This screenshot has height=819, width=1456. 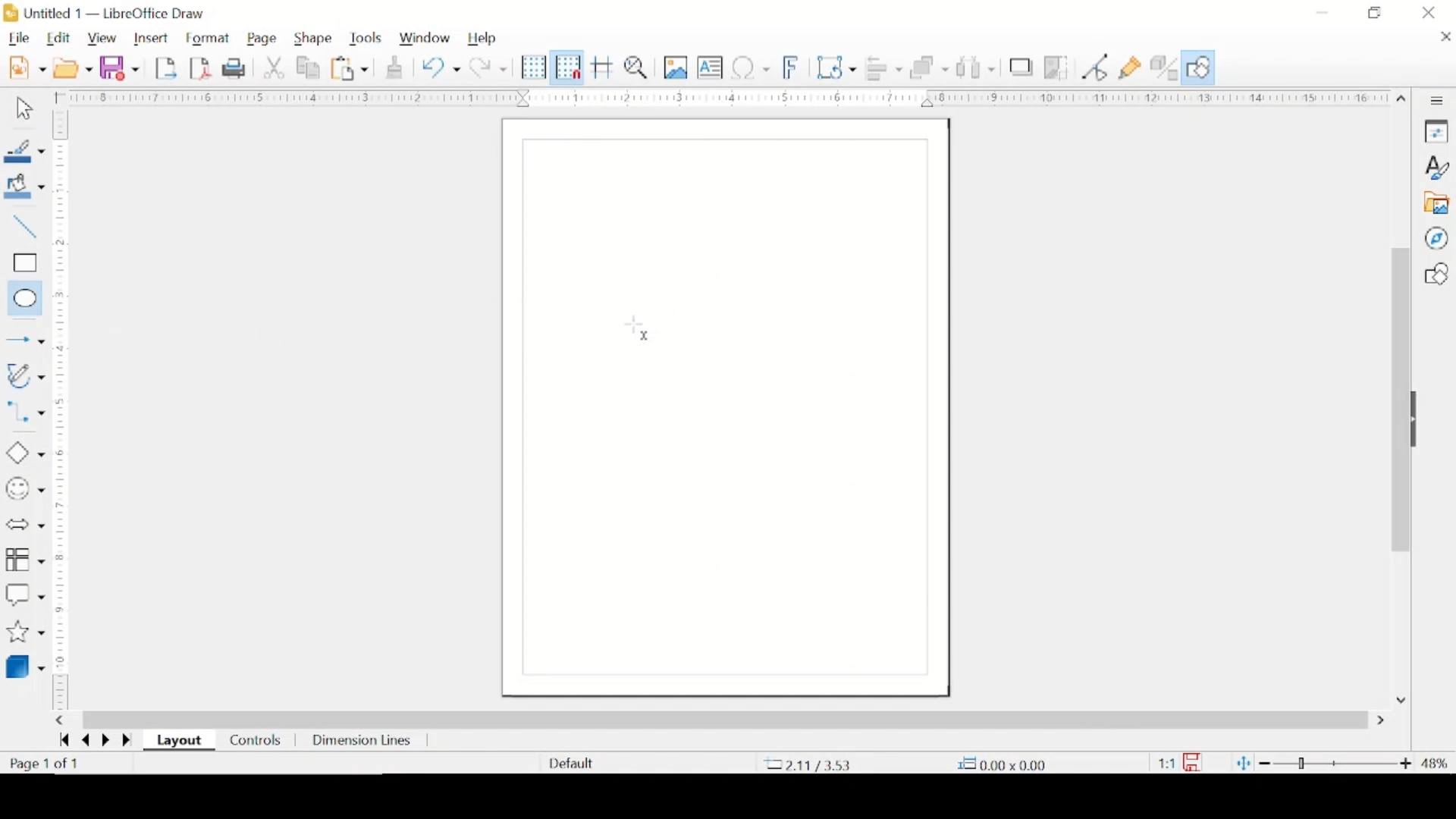 What do you see at coordinates (264, 39) in the screenshot?
I see `page` at bounding box center [264, 39].